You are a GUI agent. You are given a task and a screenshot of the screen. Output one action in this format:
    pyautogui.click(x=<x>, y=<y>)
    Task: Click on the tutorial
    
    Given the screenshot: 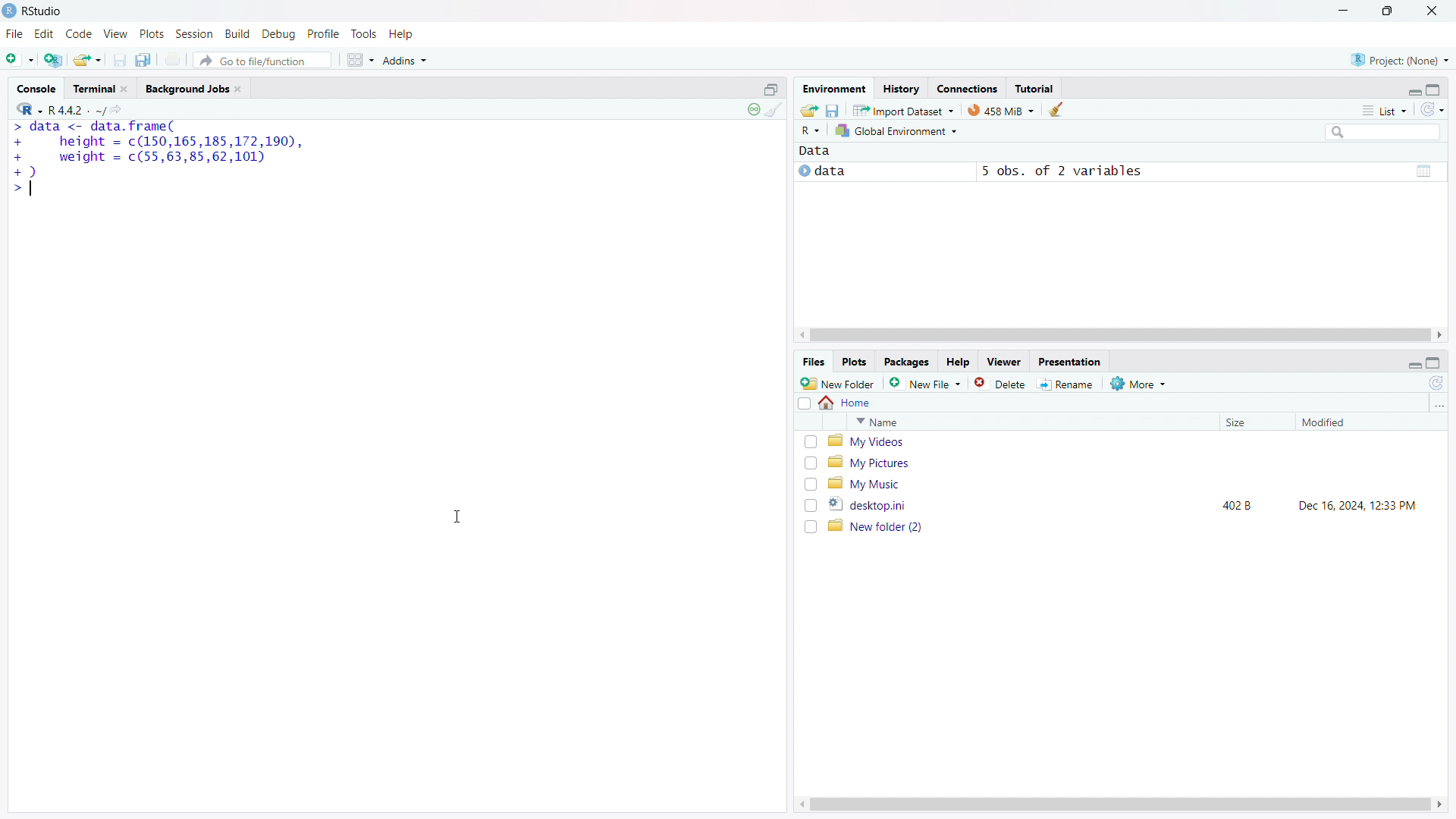 What is the action you would take?
    pyautogui.click(x=1034, y=88)
    